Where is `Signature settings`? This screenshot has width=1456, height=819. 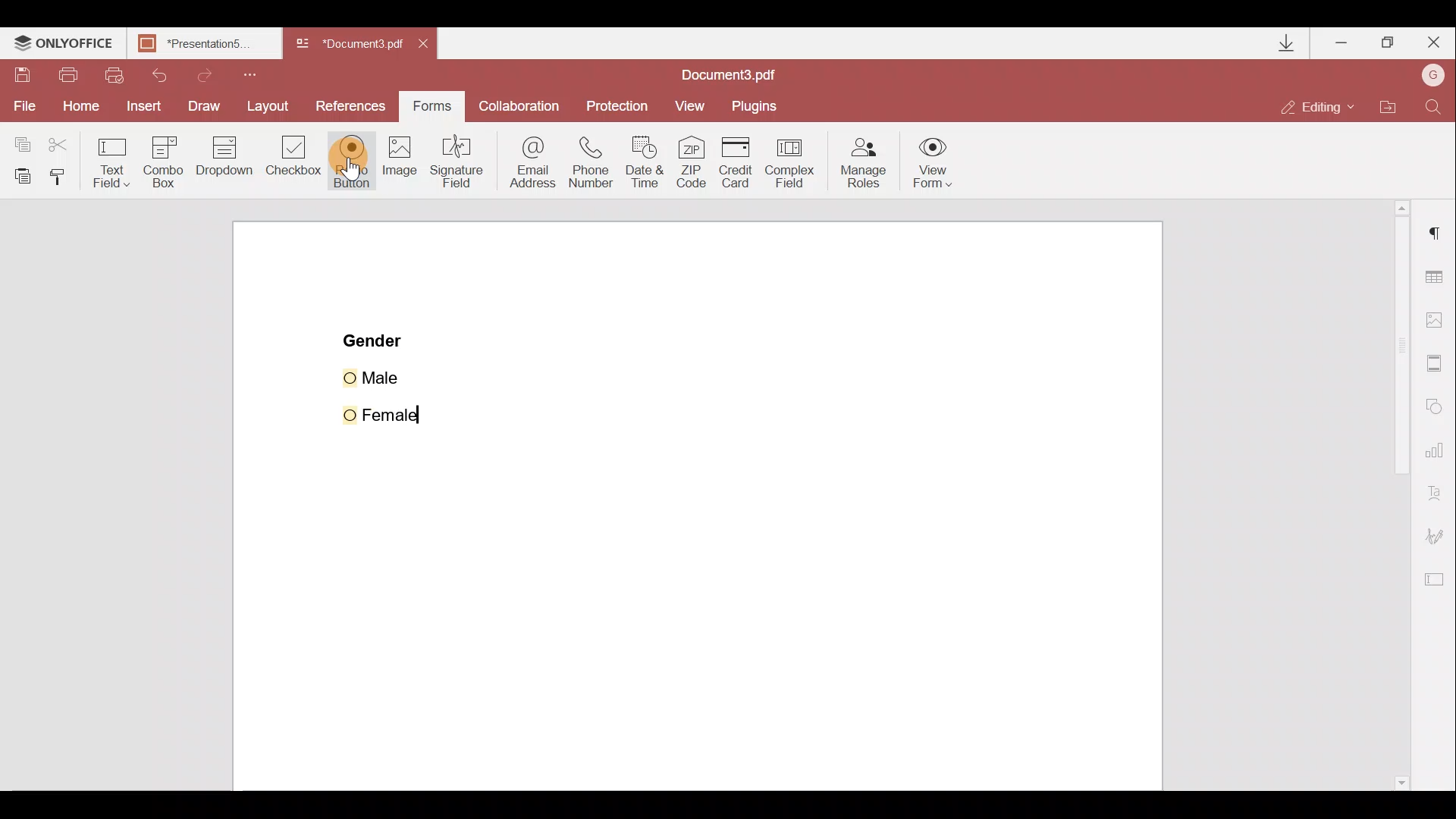
Signature settings is located at coordinates (1442, 536).